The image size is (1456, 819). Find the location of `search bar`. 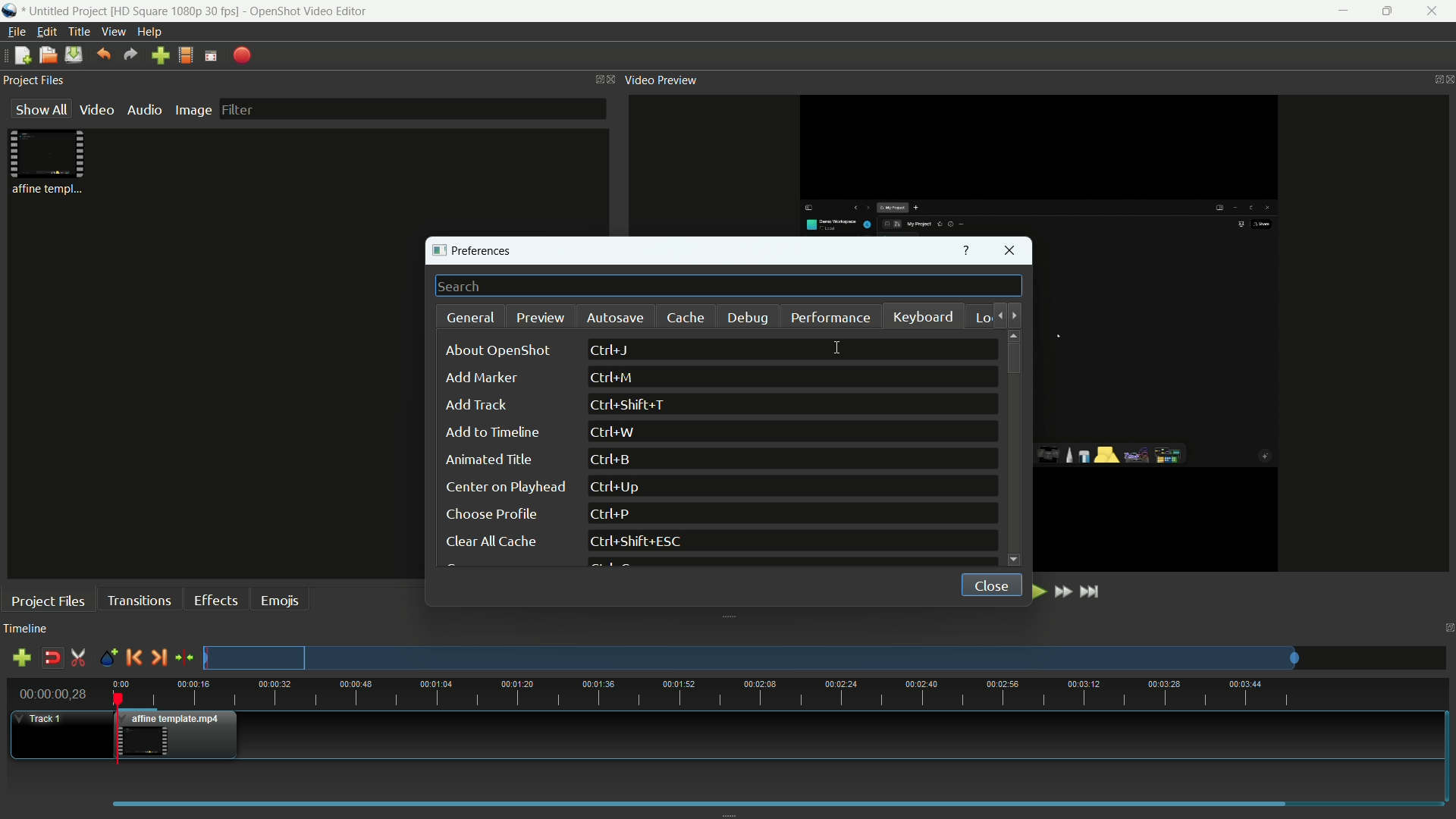

search bar is located at coordinates (729, 287).